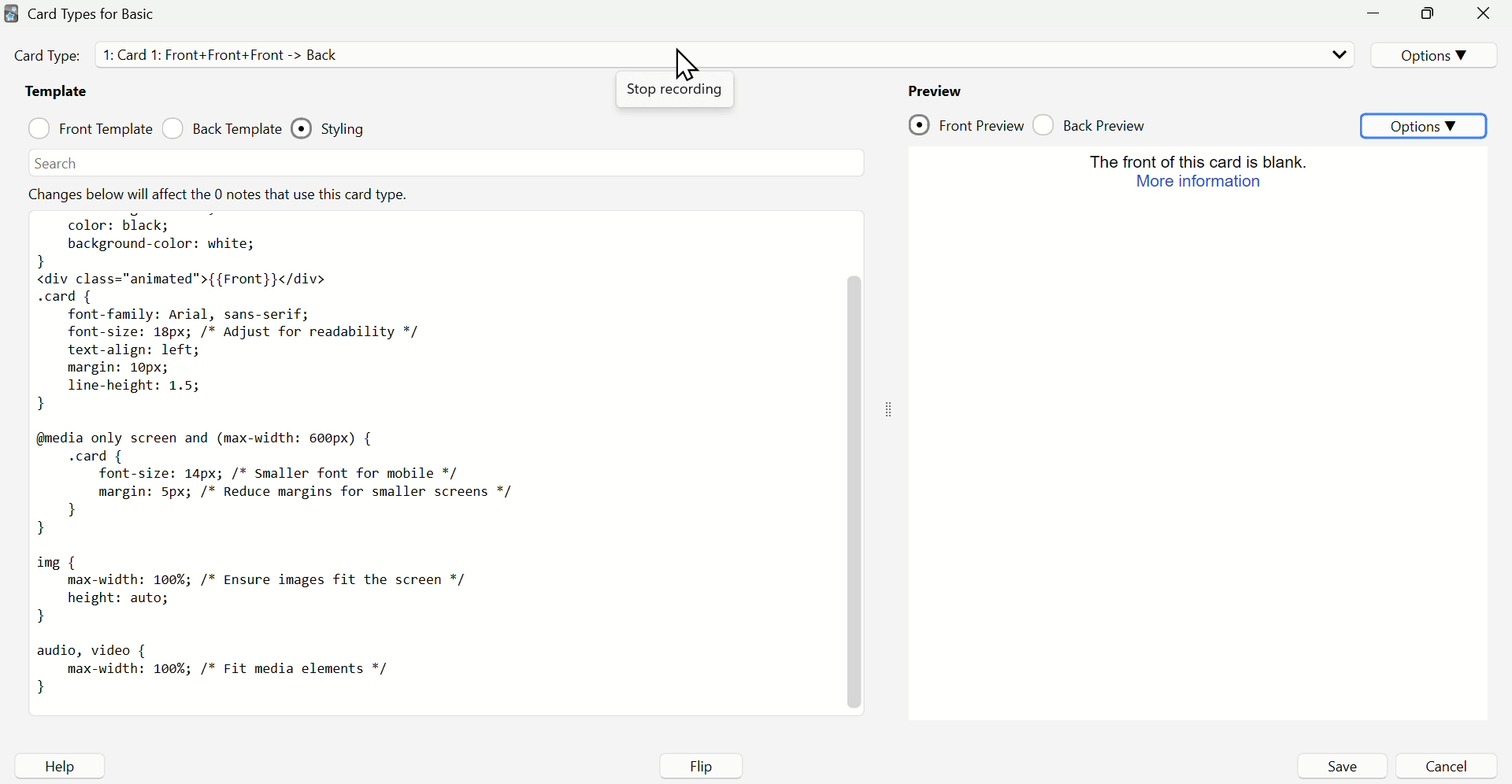  What do you see at coordinates (1379, 17) in the screenshot?
I see `minimise` at bounding box center [1379, 17].